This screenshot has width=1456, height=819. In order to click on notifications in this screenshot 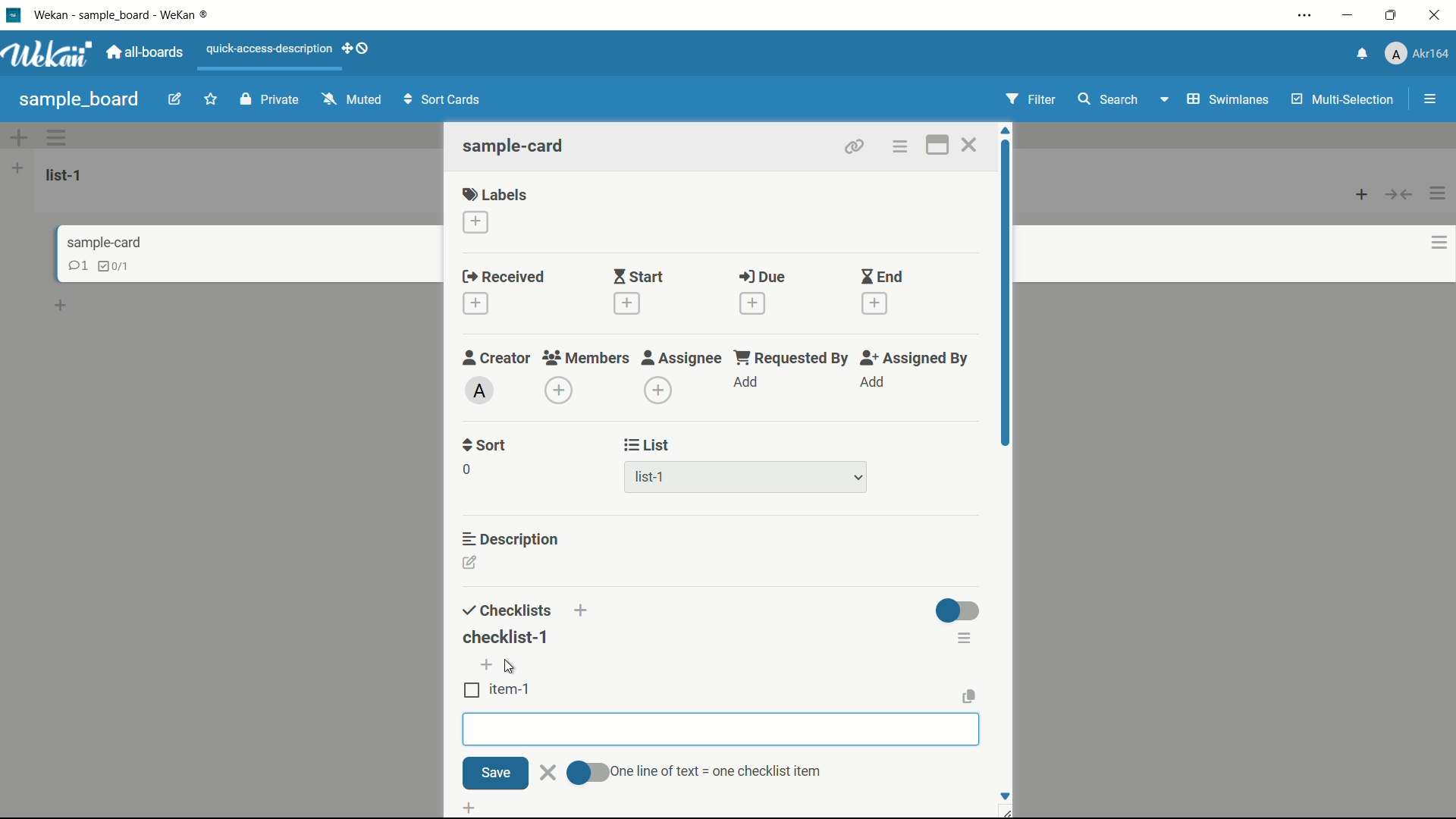, I will do `click(1363, 54)`.